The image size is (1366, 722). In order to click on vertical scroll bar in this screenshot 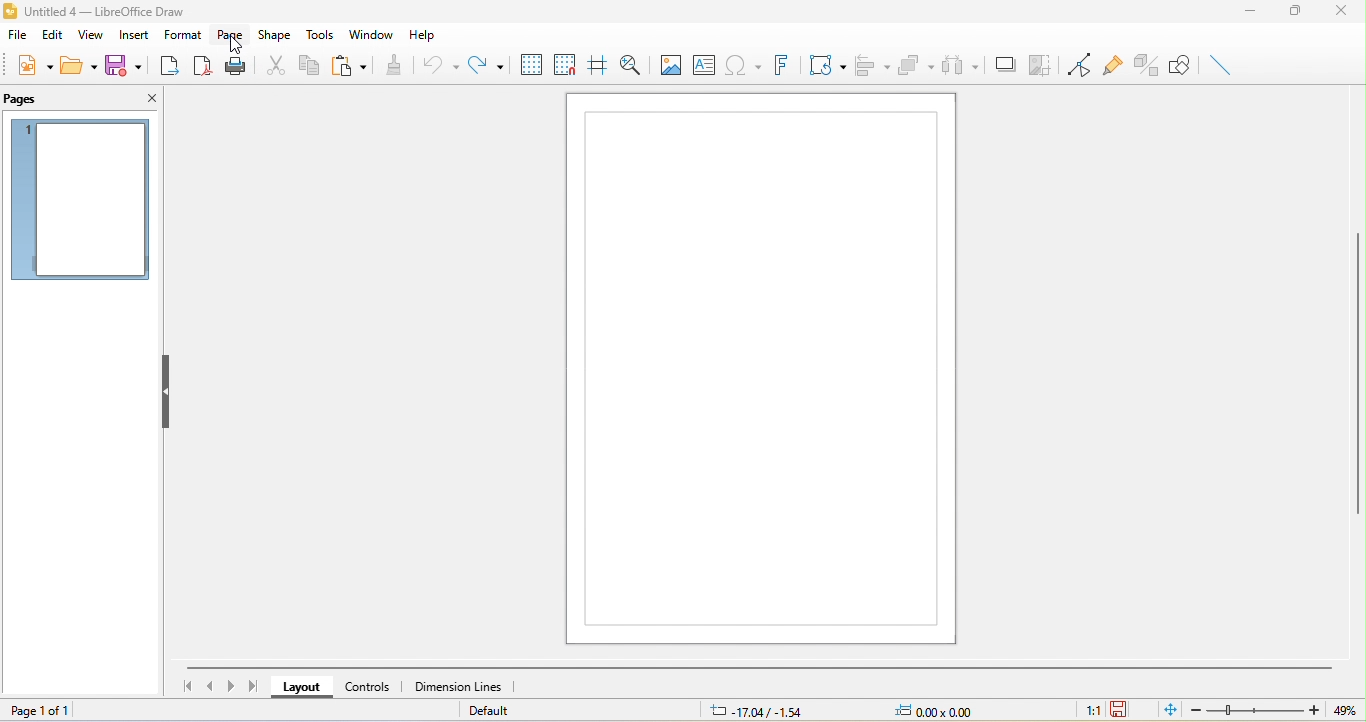, I will do `click(1357, 378)`.